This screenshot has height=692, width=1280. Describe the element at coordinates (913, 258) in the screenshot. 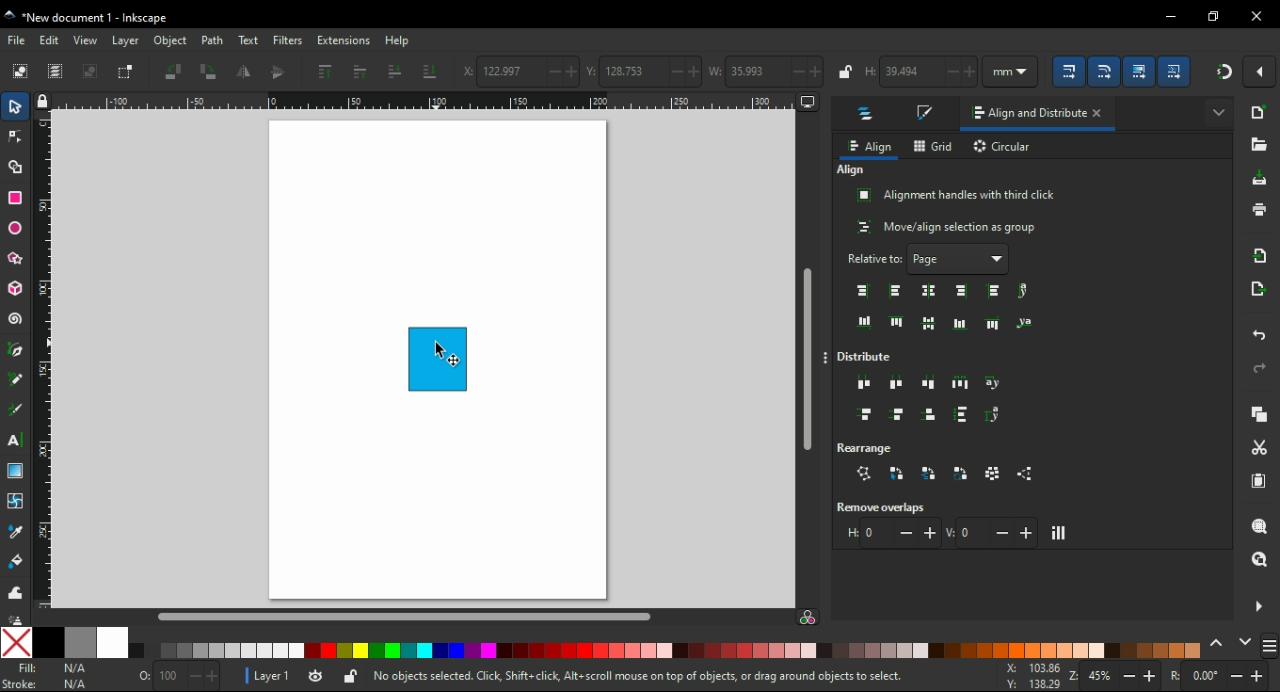

I see `relative to` at that location.